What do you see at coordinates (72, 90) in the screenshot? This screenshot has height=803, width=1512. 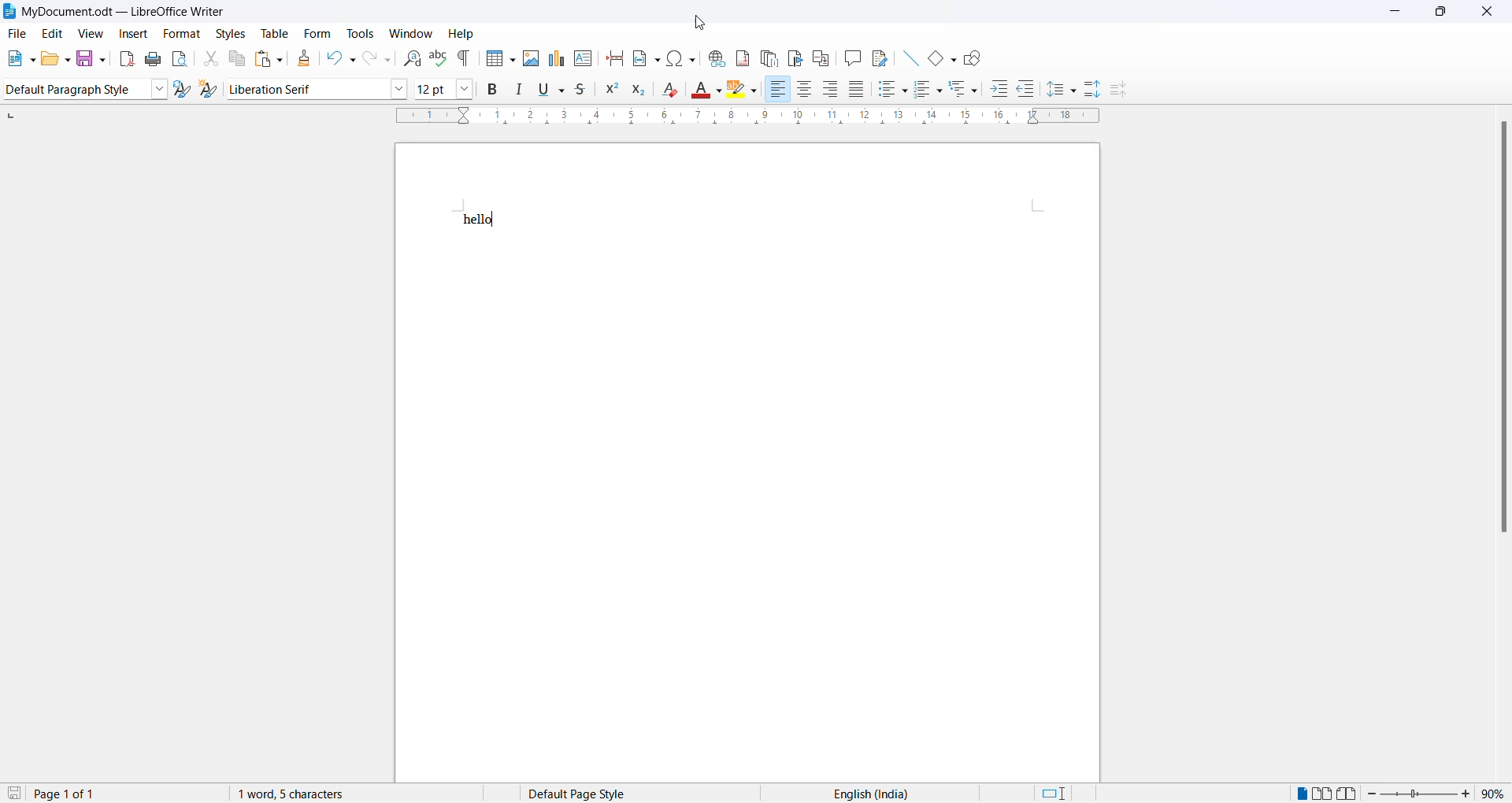 I see `Selected a style option` at bounding box center [72, 90].